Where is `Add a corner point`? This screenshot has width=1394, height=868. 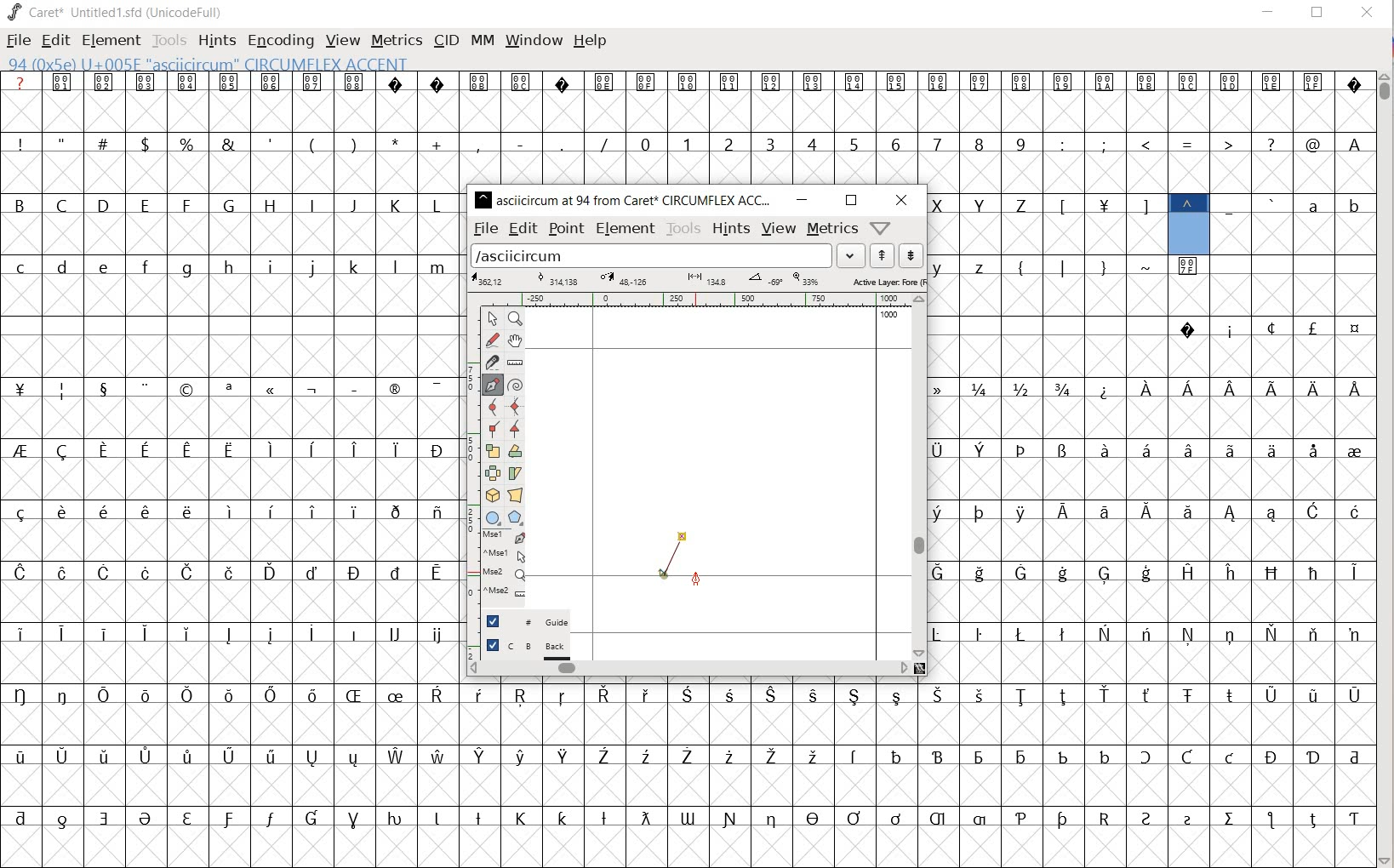 Add a corner point is located at coordinates (516, 428).